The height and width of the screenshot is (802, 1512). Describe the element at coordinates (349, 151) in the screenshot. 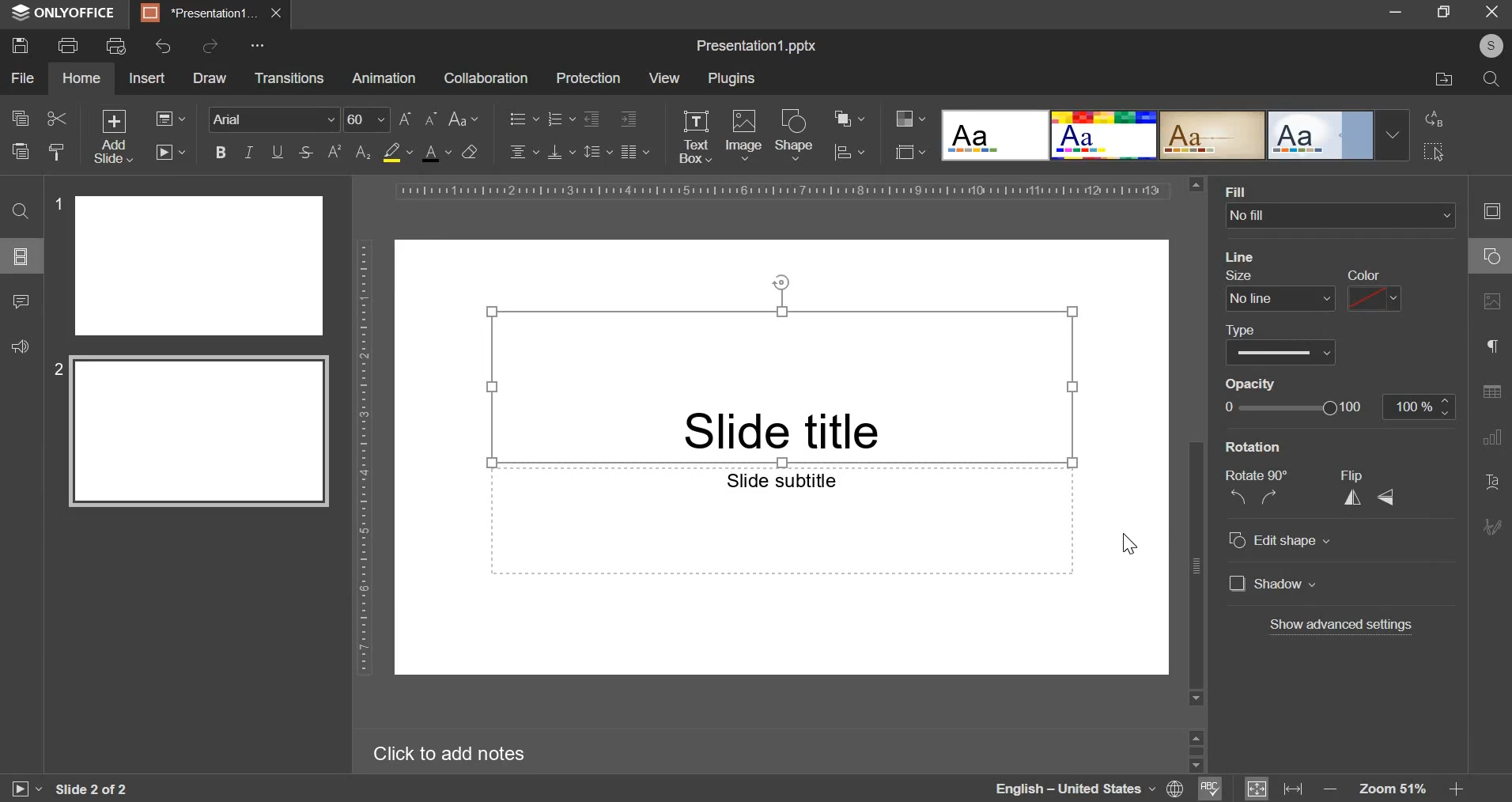

I see `subscript & superscript` at that location.